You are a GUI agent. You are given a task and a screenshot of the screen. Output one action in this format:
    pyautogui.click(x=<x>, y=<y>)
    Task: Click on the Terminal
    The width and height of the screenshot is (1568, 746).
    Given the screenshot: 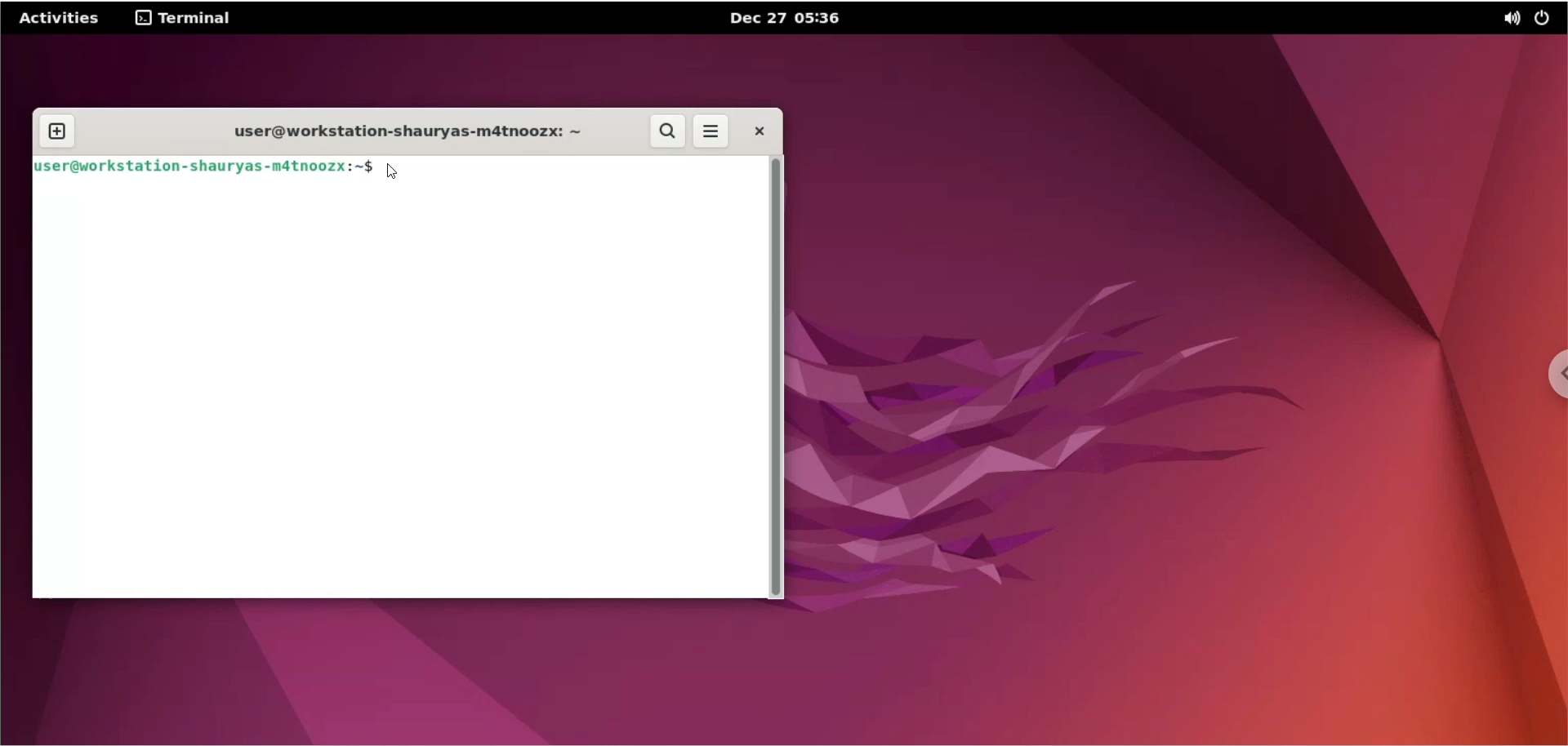 What is the action you would take?
    pyautogui.click(x=183, y=18)
    